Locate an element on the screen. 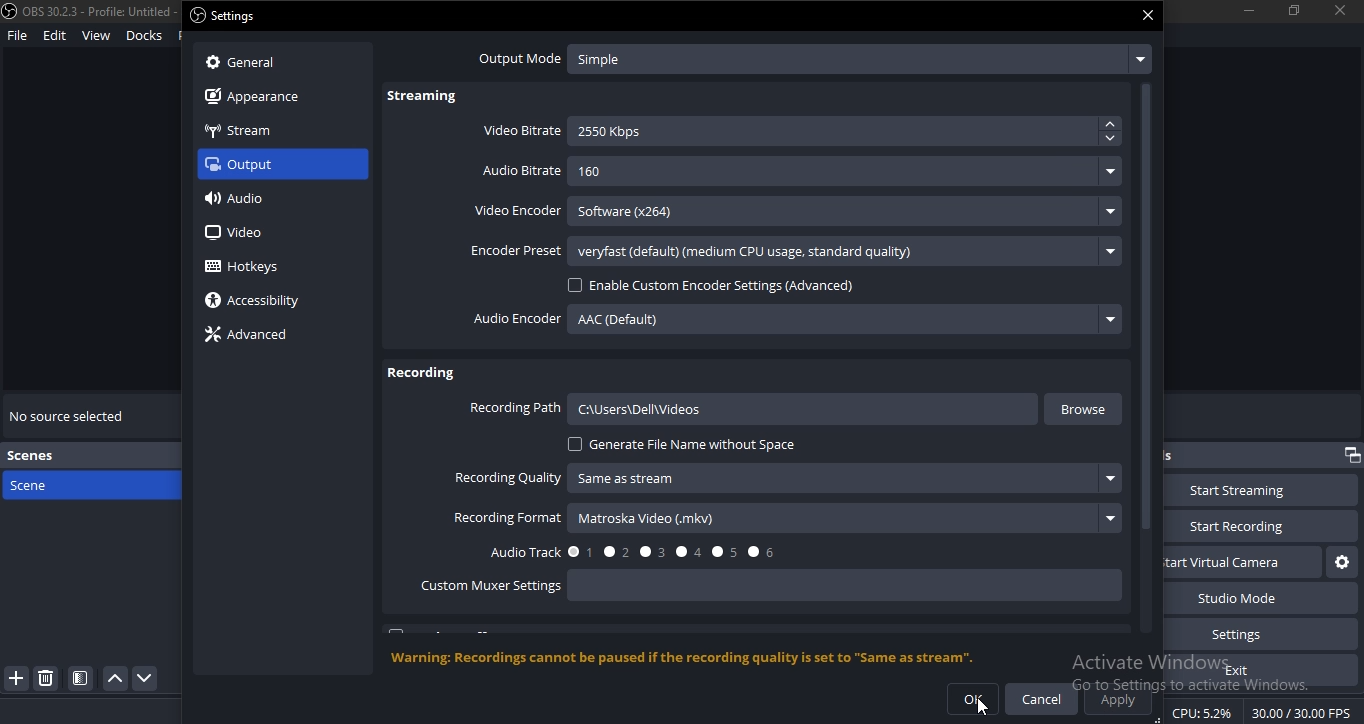 The height and width of the screenshot is (724, 1364). recording quality is located at coordinates (507, 477).